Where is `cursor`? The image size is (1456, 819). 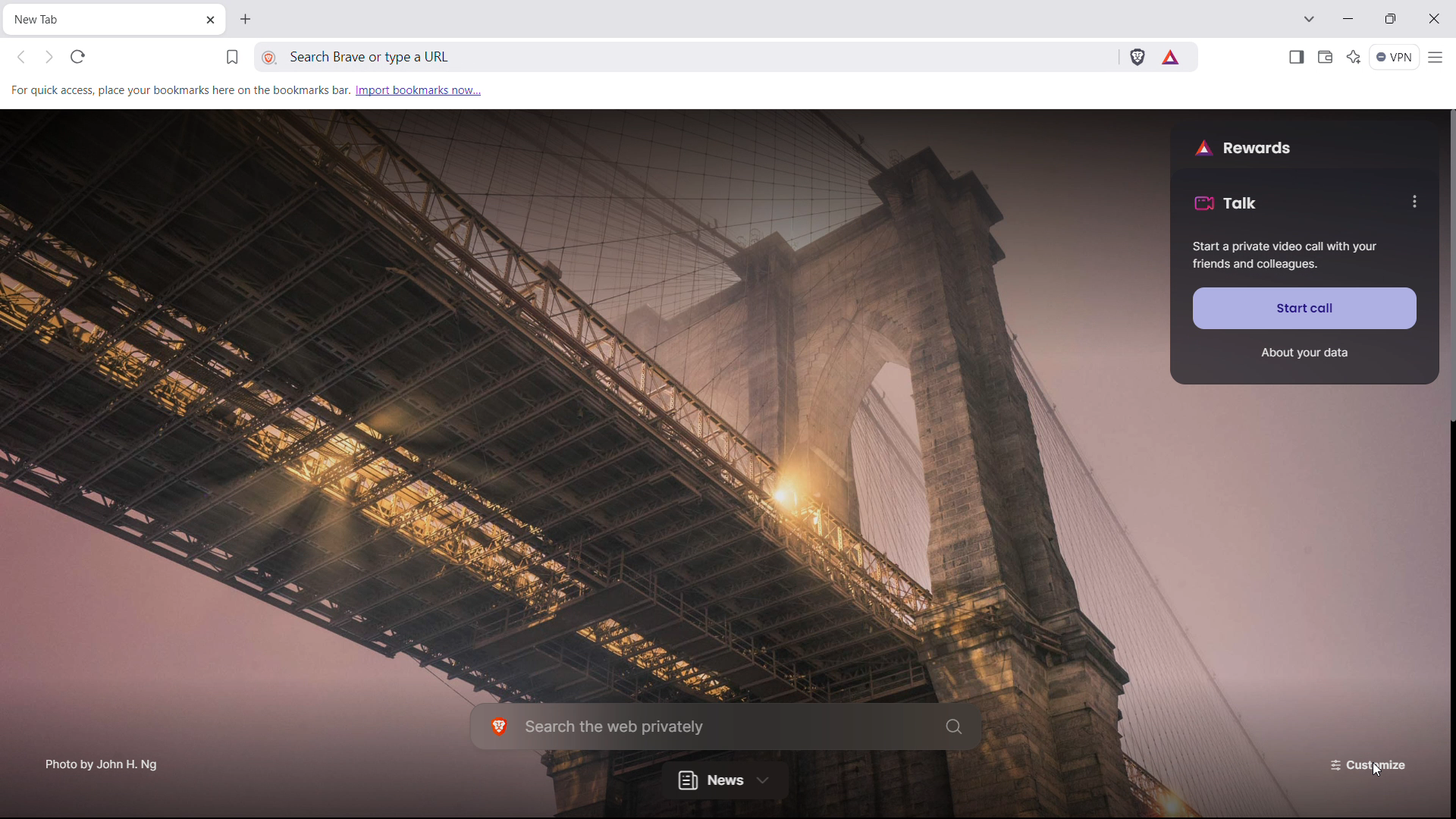
cursor is located at coordinates (1376, 770).